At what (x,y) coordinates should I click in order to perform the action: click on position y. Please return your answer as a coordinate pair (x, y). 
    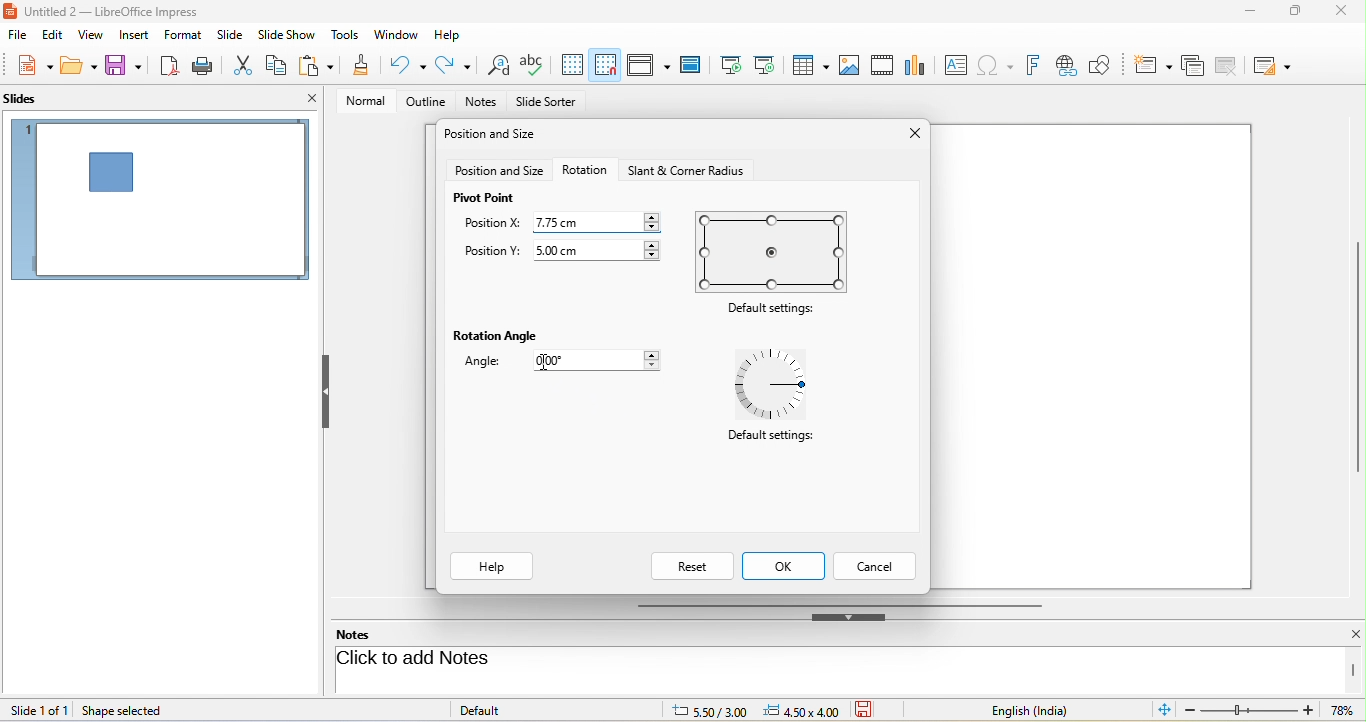
    Looking at the image, I should click on (491, 253).